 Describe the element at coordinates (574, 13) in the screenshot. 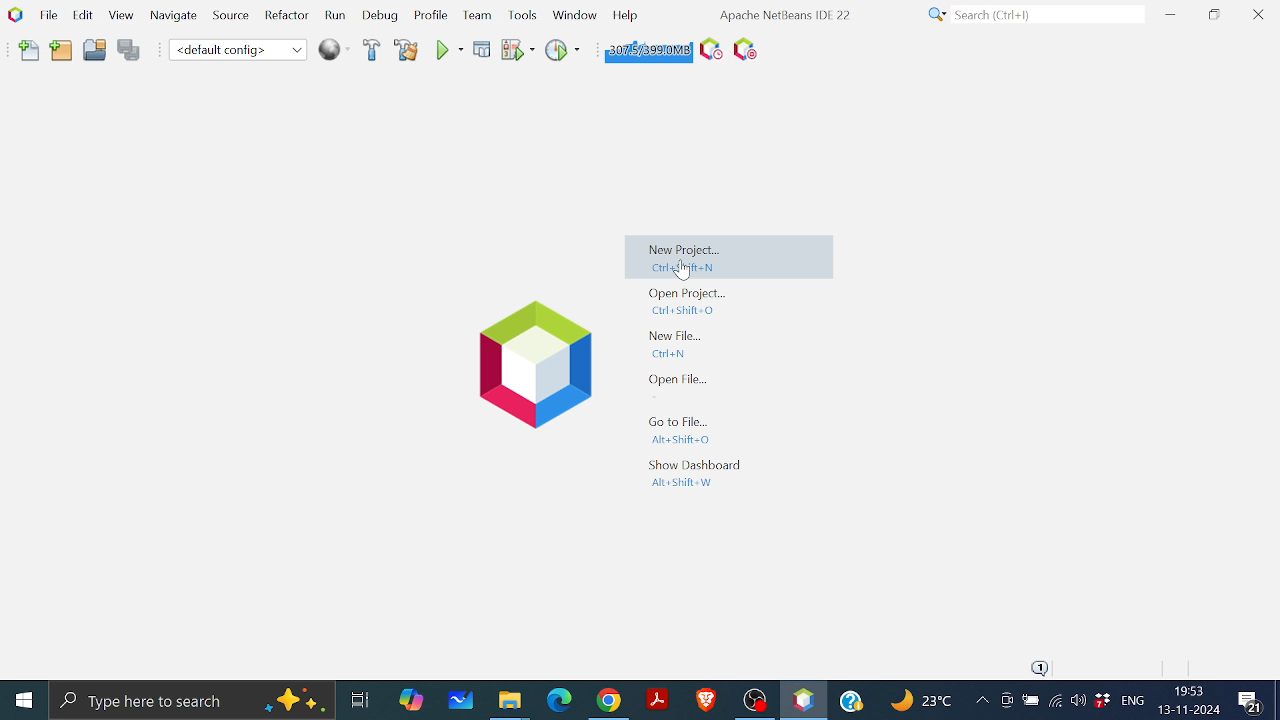

I see `` at that location.